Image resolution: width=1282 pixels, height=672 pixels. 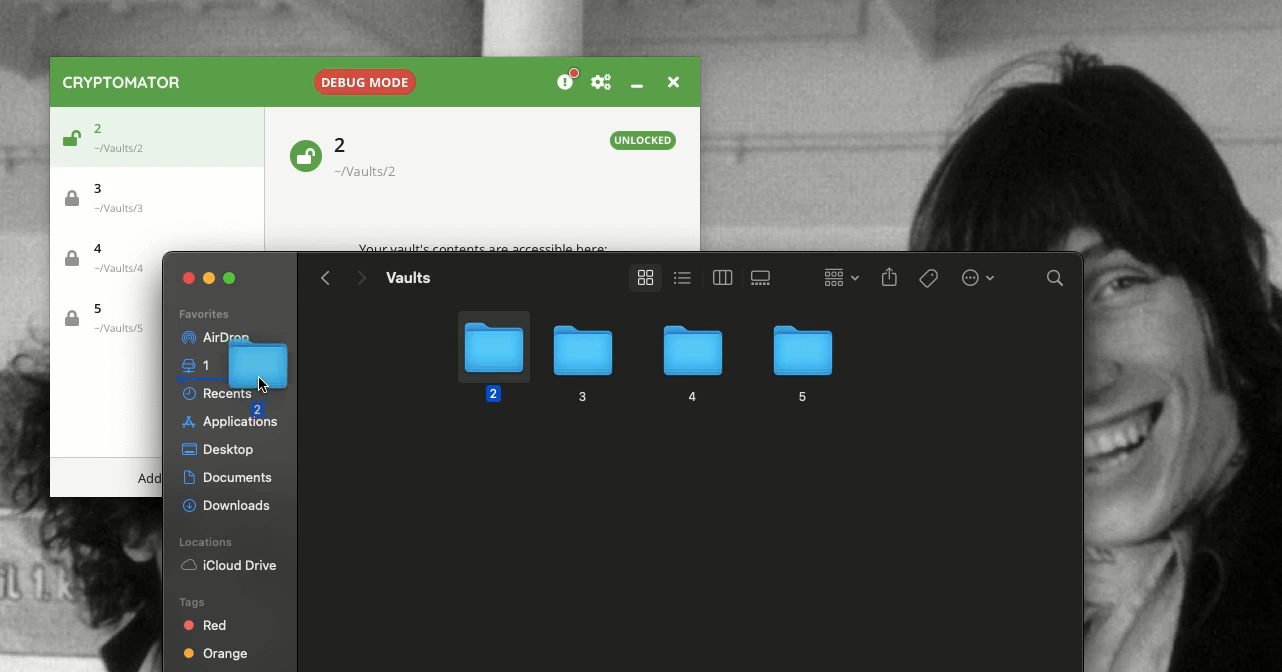 What do you see at coordinates (890, 279) in the screenshot?
I see `Share` at bounding box center [890, 279].